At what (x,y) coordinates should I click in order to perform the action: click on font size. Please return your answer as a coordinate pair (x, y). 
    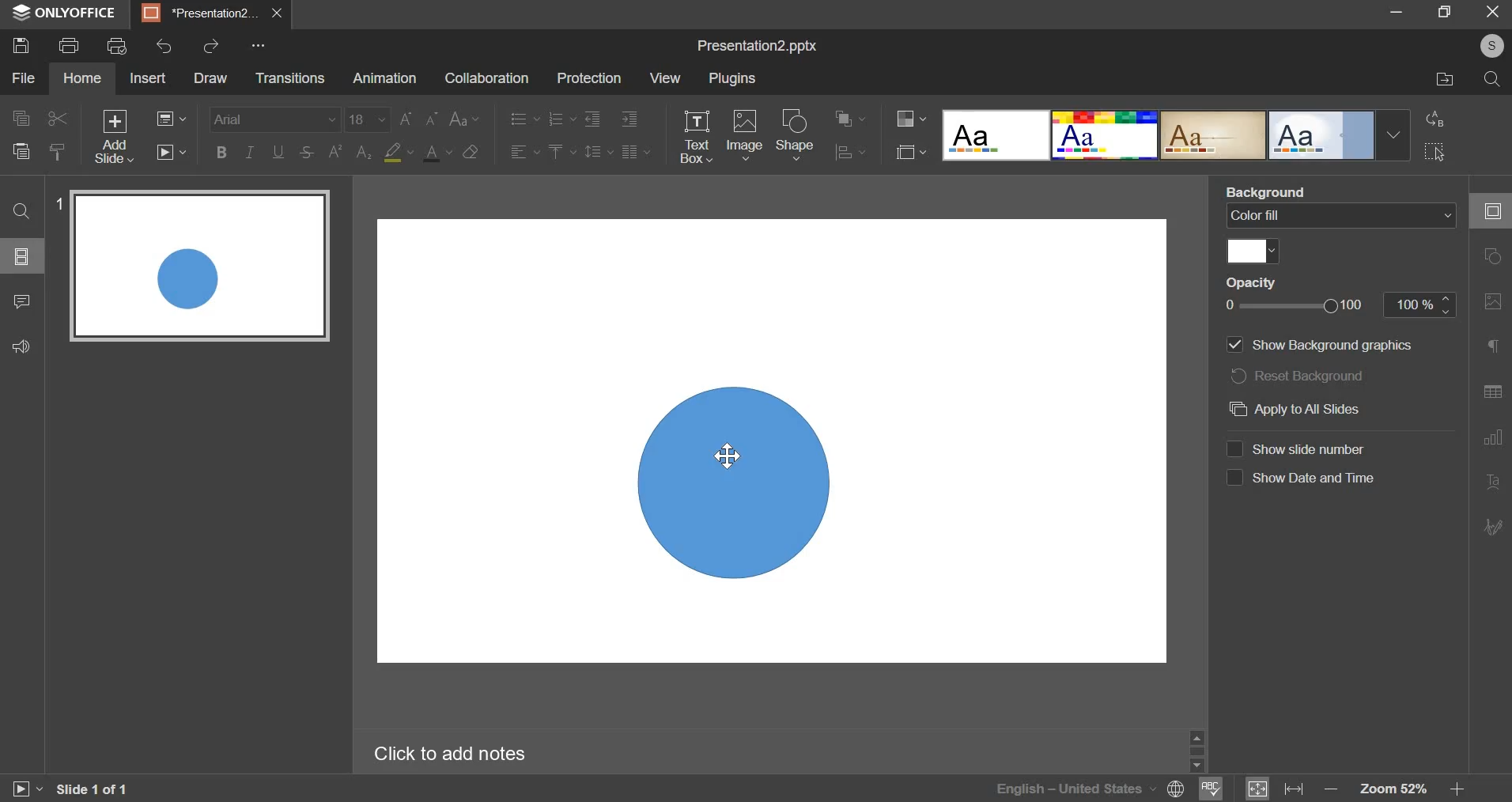
    Looking at the image, I should click on (368, 119).